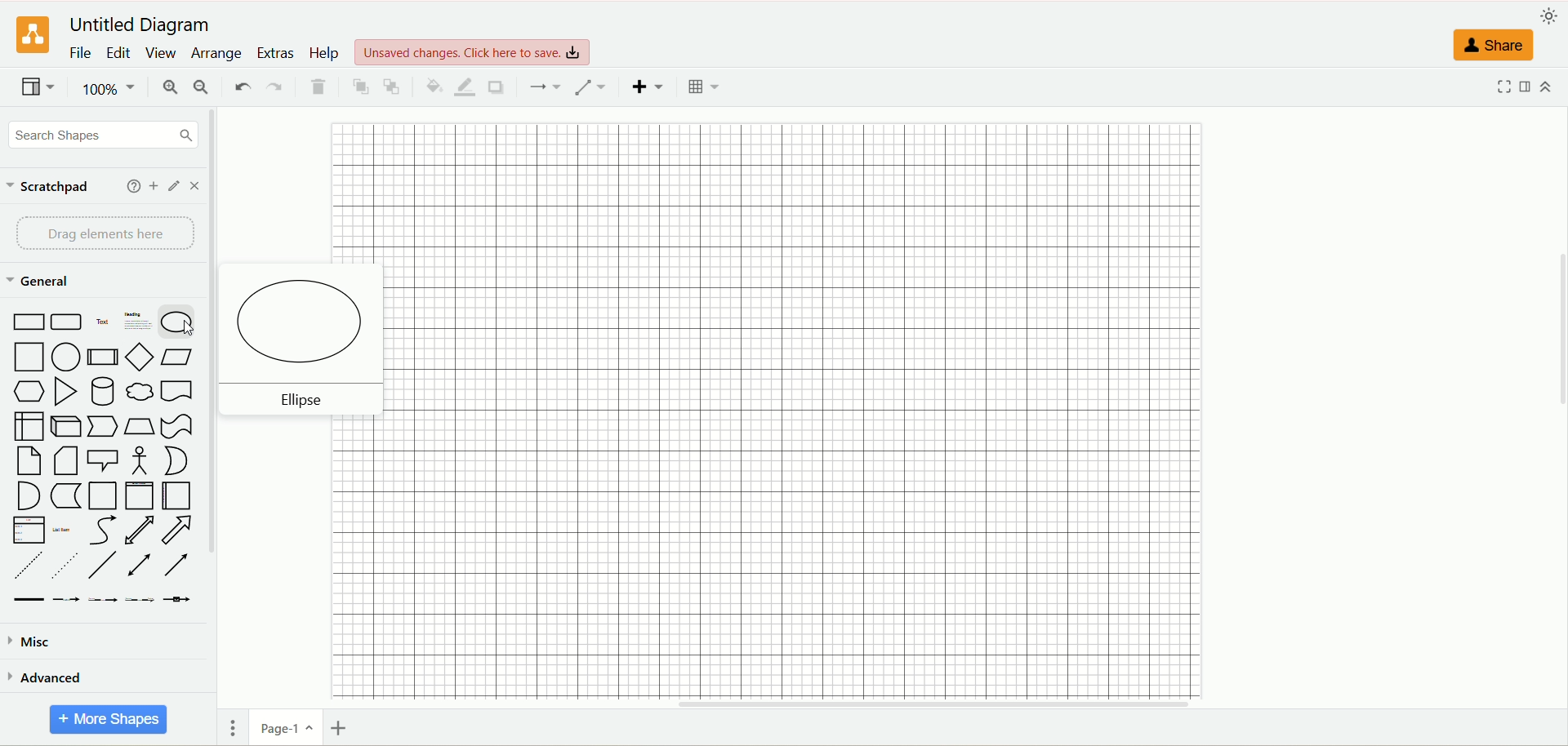 This screenshot has width=1568, height=746. What do you see at coordinates (81, 55) in the screenshot?
I see `file` at bounding box center [81, 55].